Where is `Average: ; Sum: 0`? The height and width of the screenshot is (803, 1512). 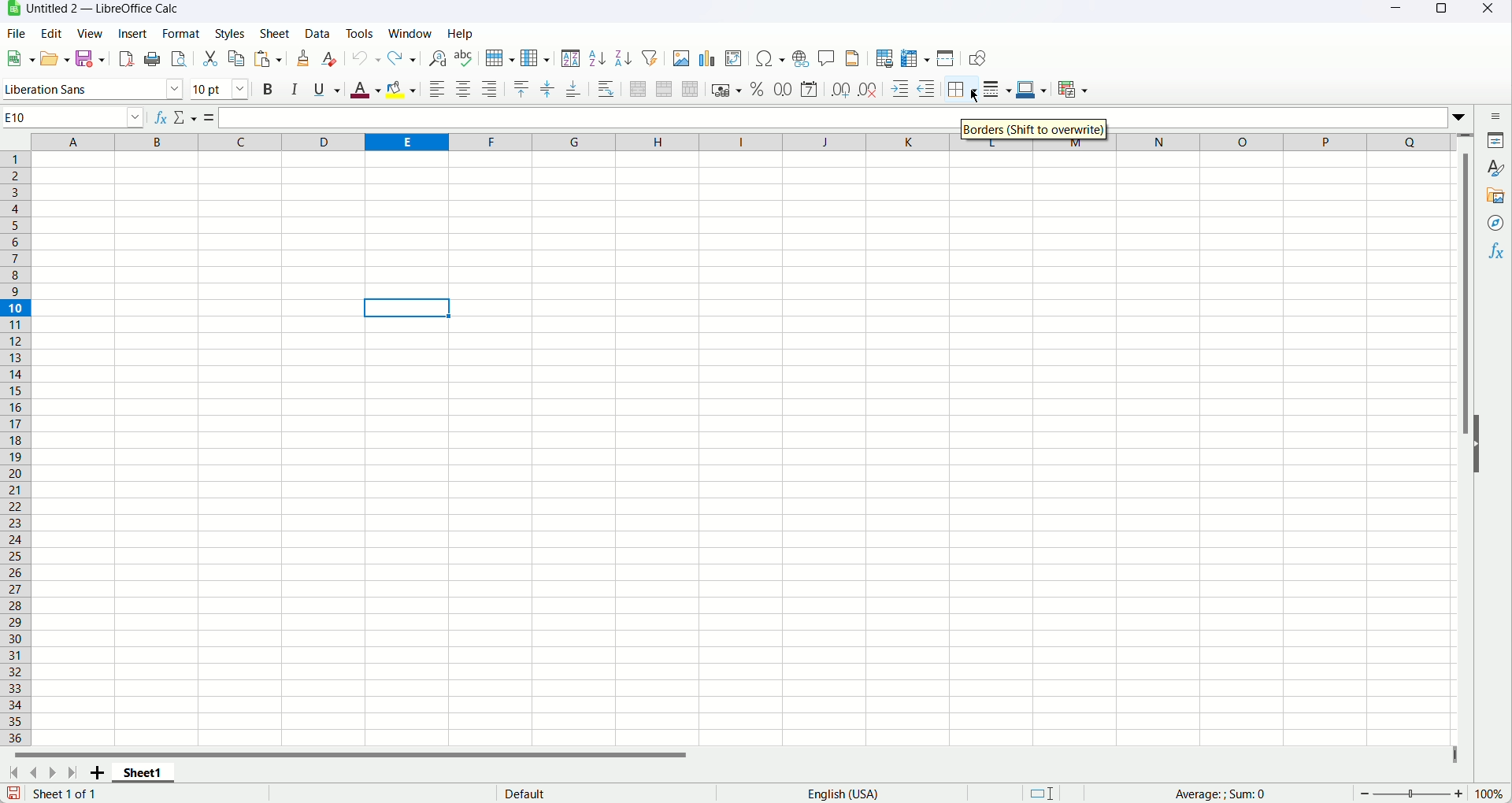
Average: ; Sum: 0 is located at coordinates (1216, 793).